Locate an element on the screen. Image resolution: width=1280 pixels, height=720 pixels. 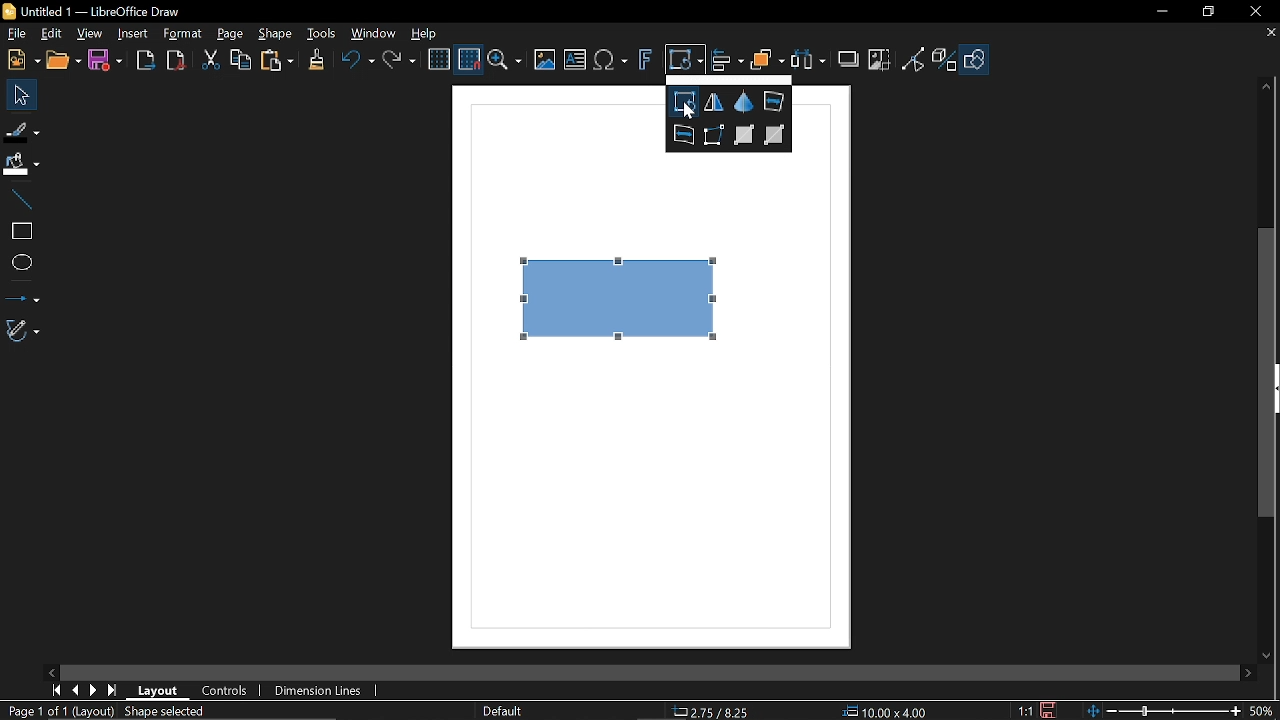
Move is located at coordinates (17, 94).